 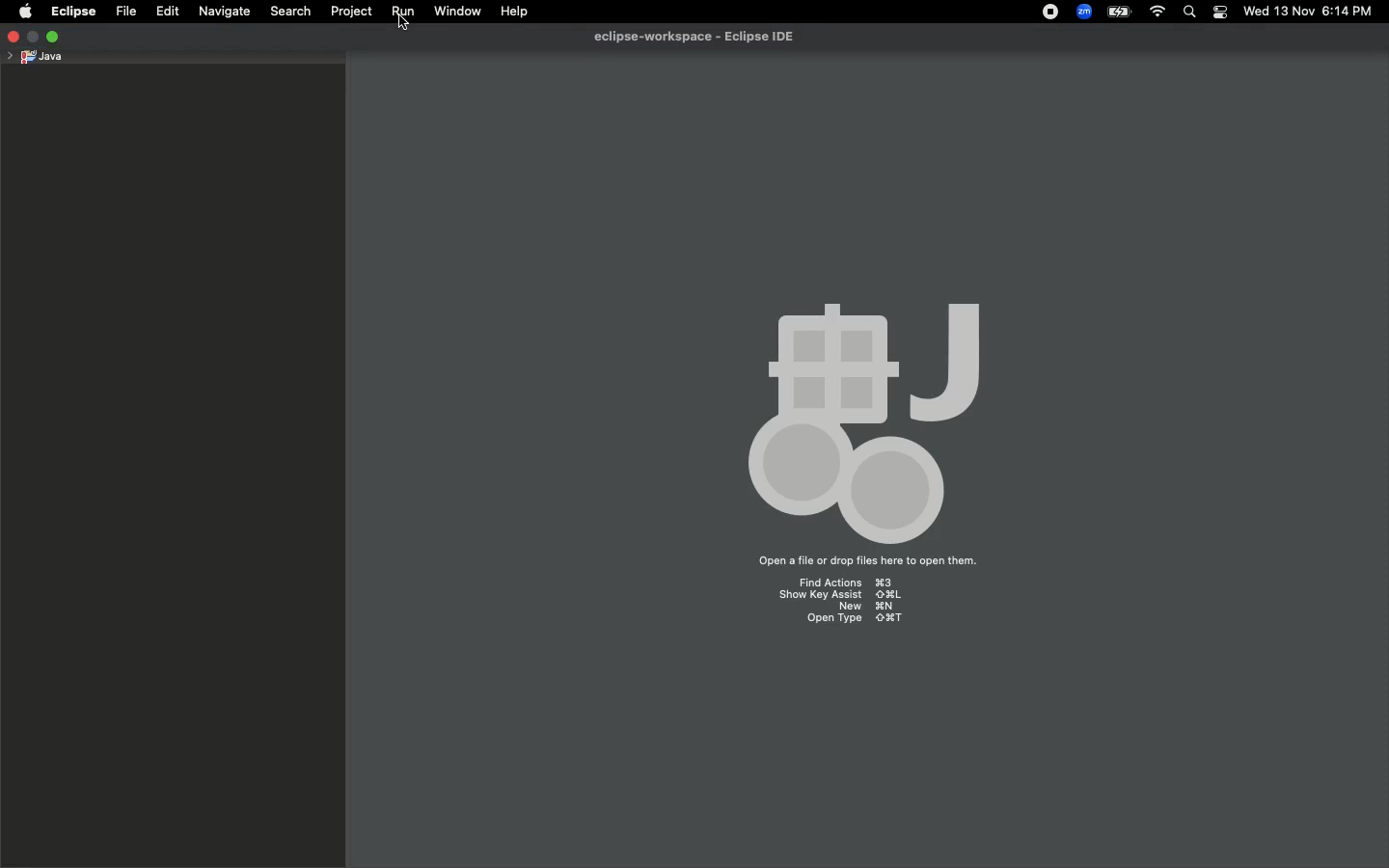 I want to click on Charge, so click(x=1119, y=14).